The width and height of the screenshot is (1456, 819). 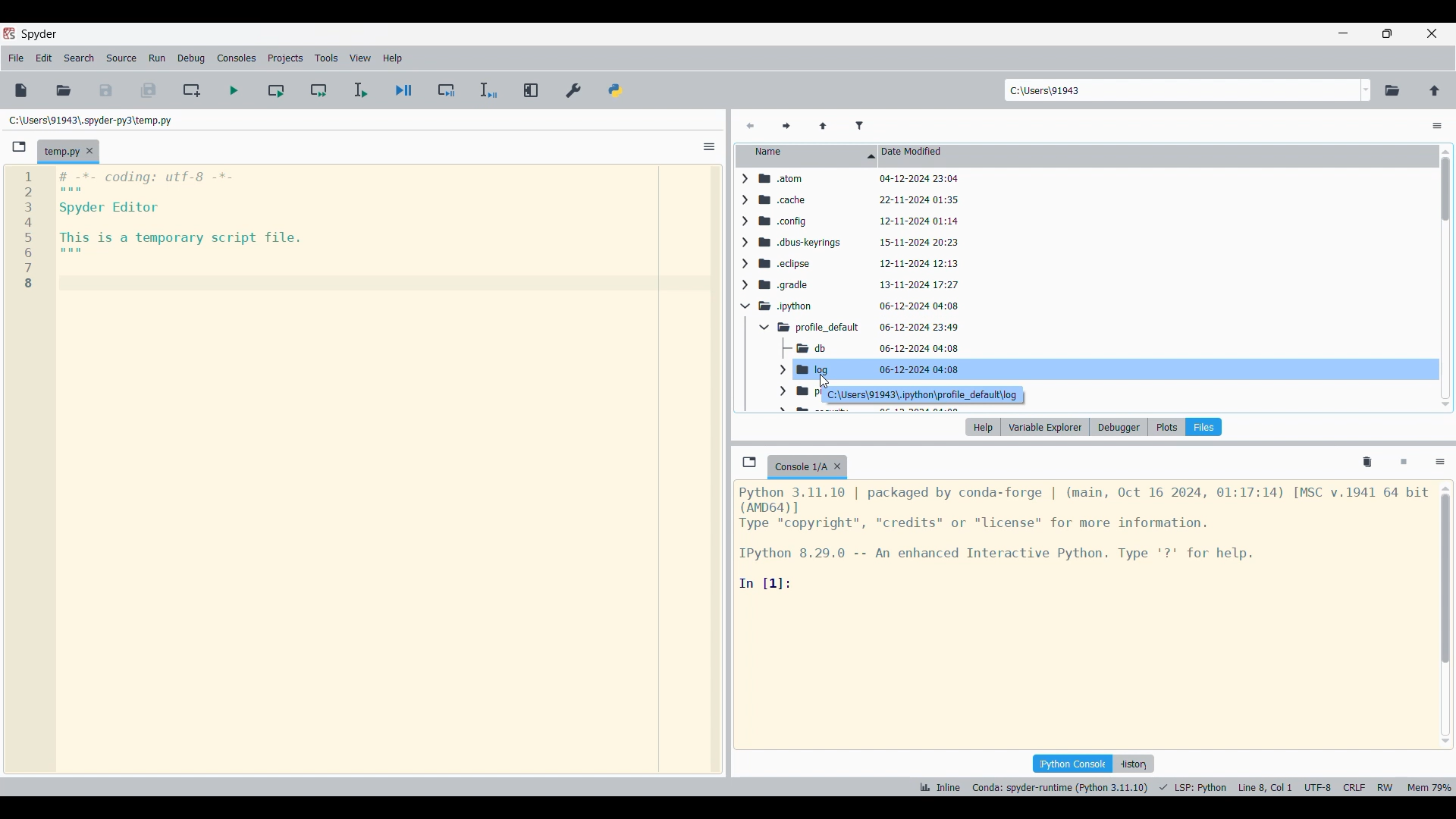 What do you see at coordinates (156, 231) in the screenshot?
I see `Current code` at bounding box center [156, 231].